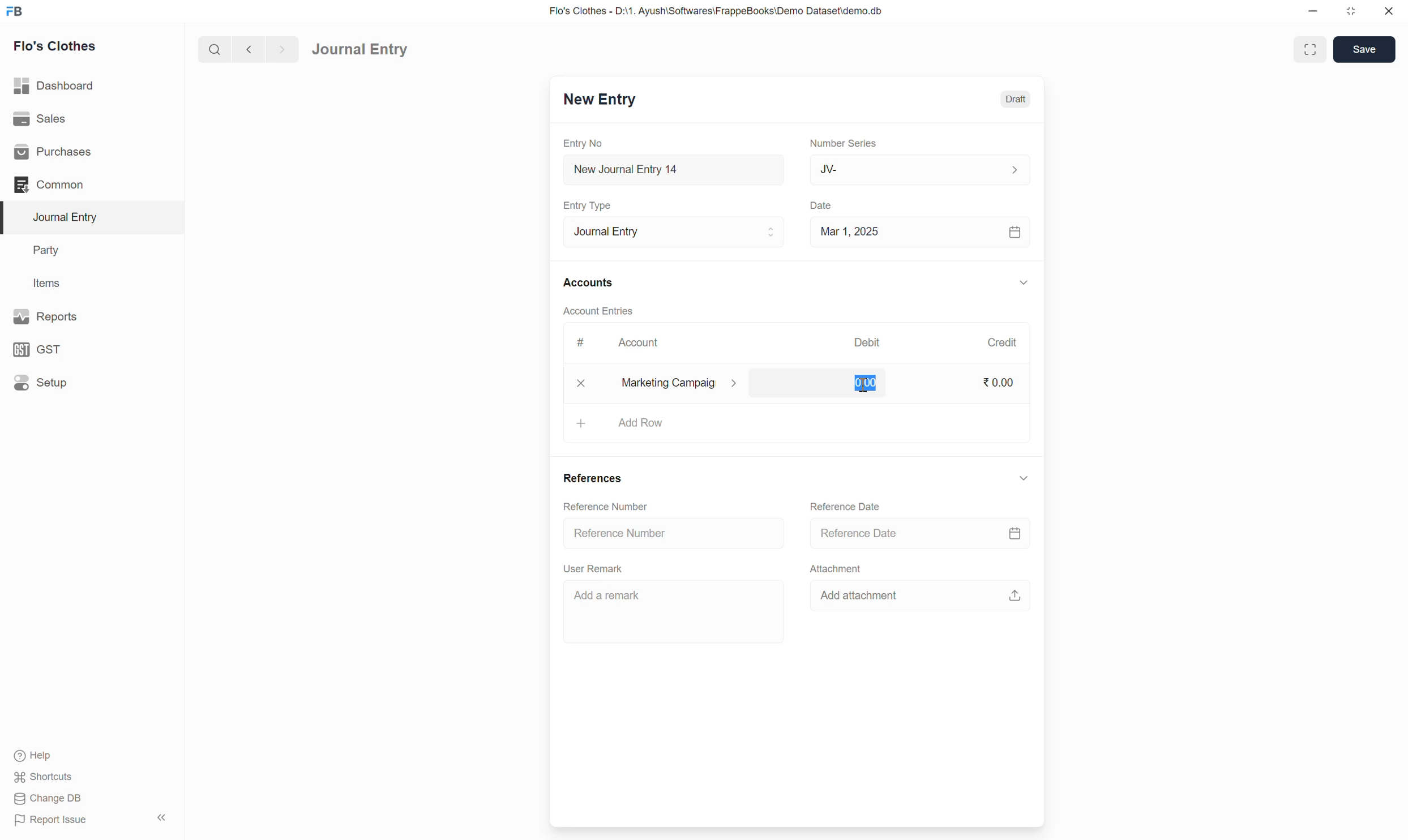 The height and width of the screenshot is (840, 1408). Describe the element at coordinates (644, 422) in the screenshot. I see `add row` at that location.